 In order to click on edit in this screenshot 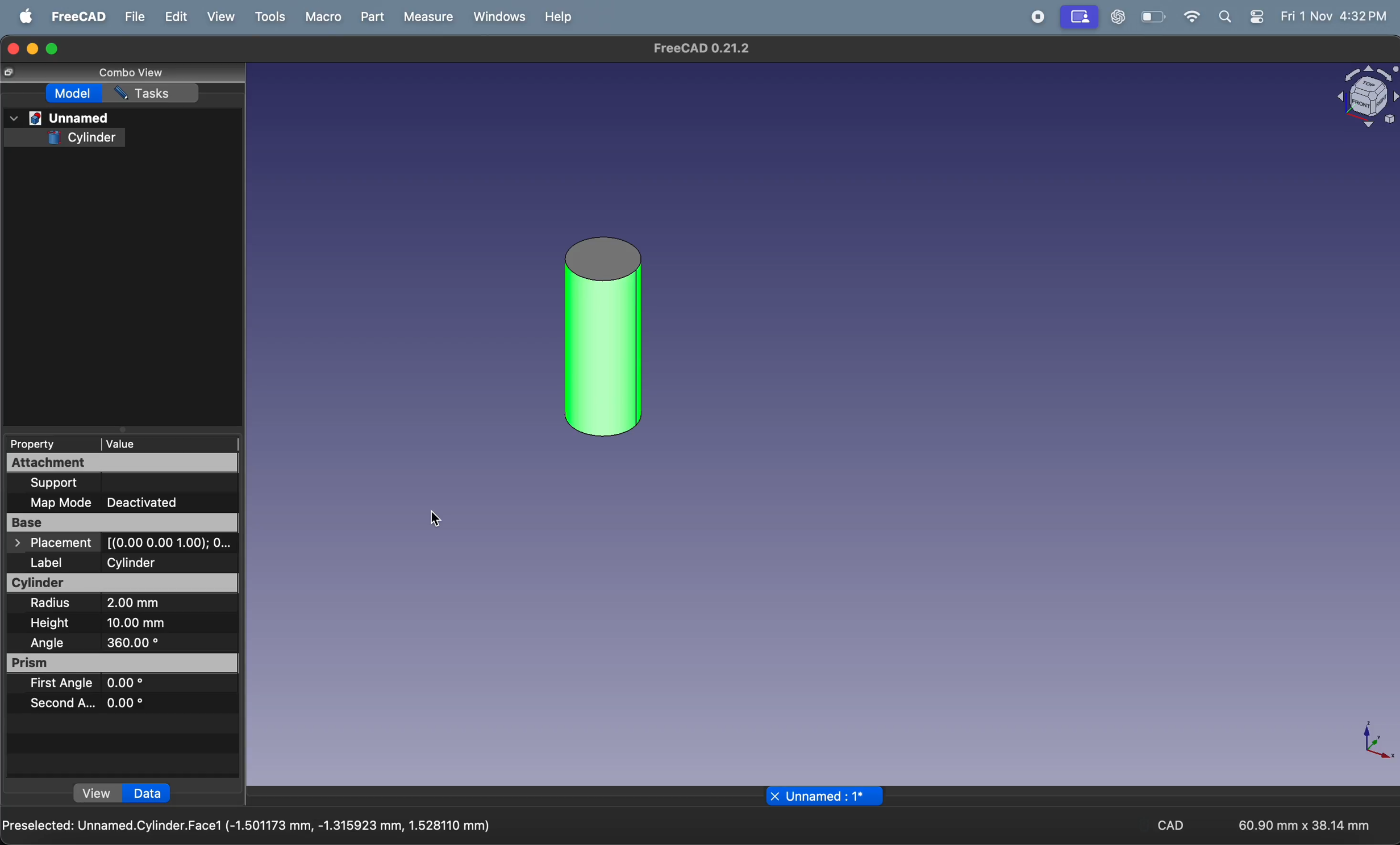, I will do `click(176, 16)`.